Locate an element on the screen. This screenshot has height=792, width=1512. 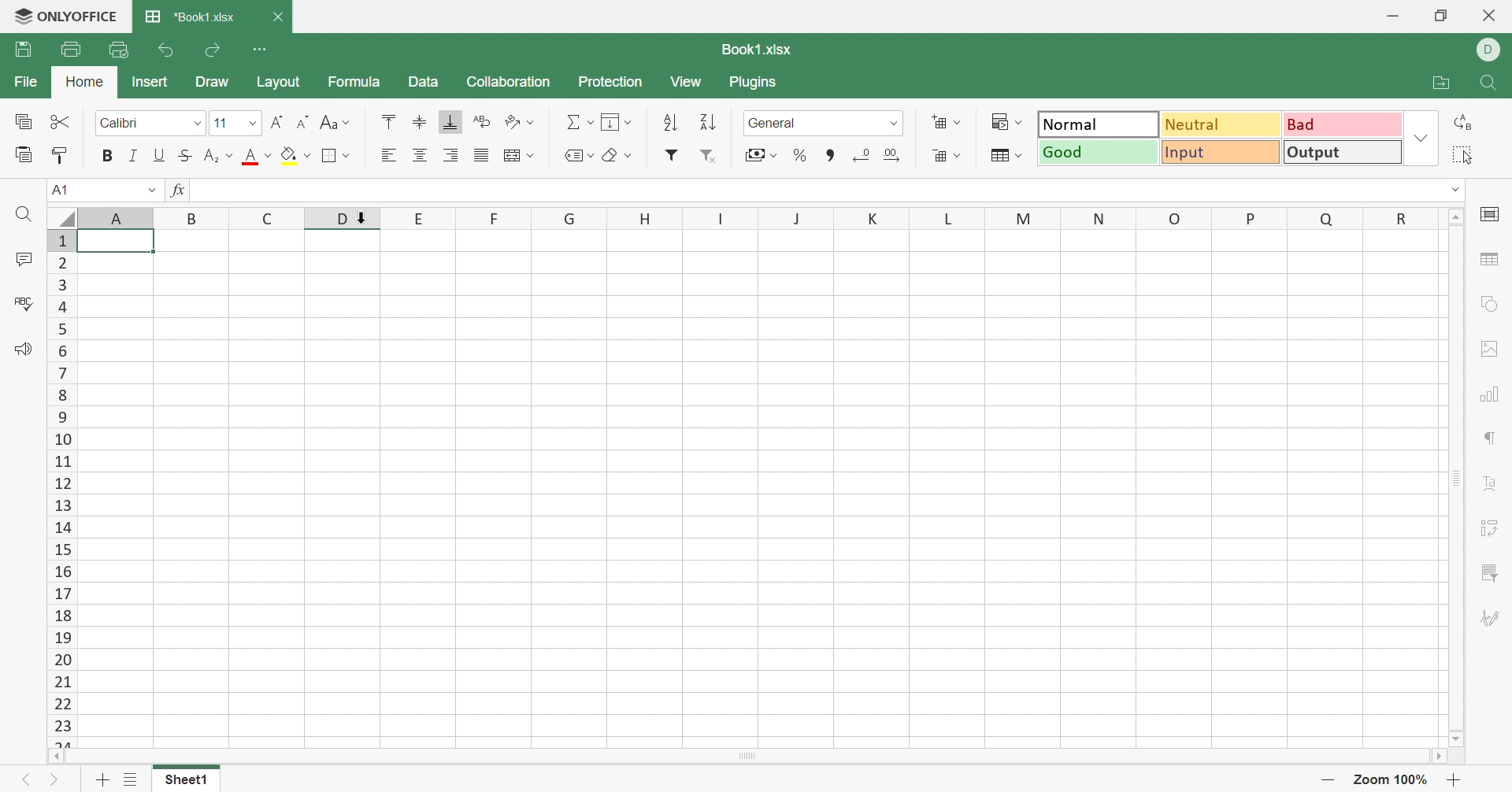
Drop Down is located at coordinates (268, 154).